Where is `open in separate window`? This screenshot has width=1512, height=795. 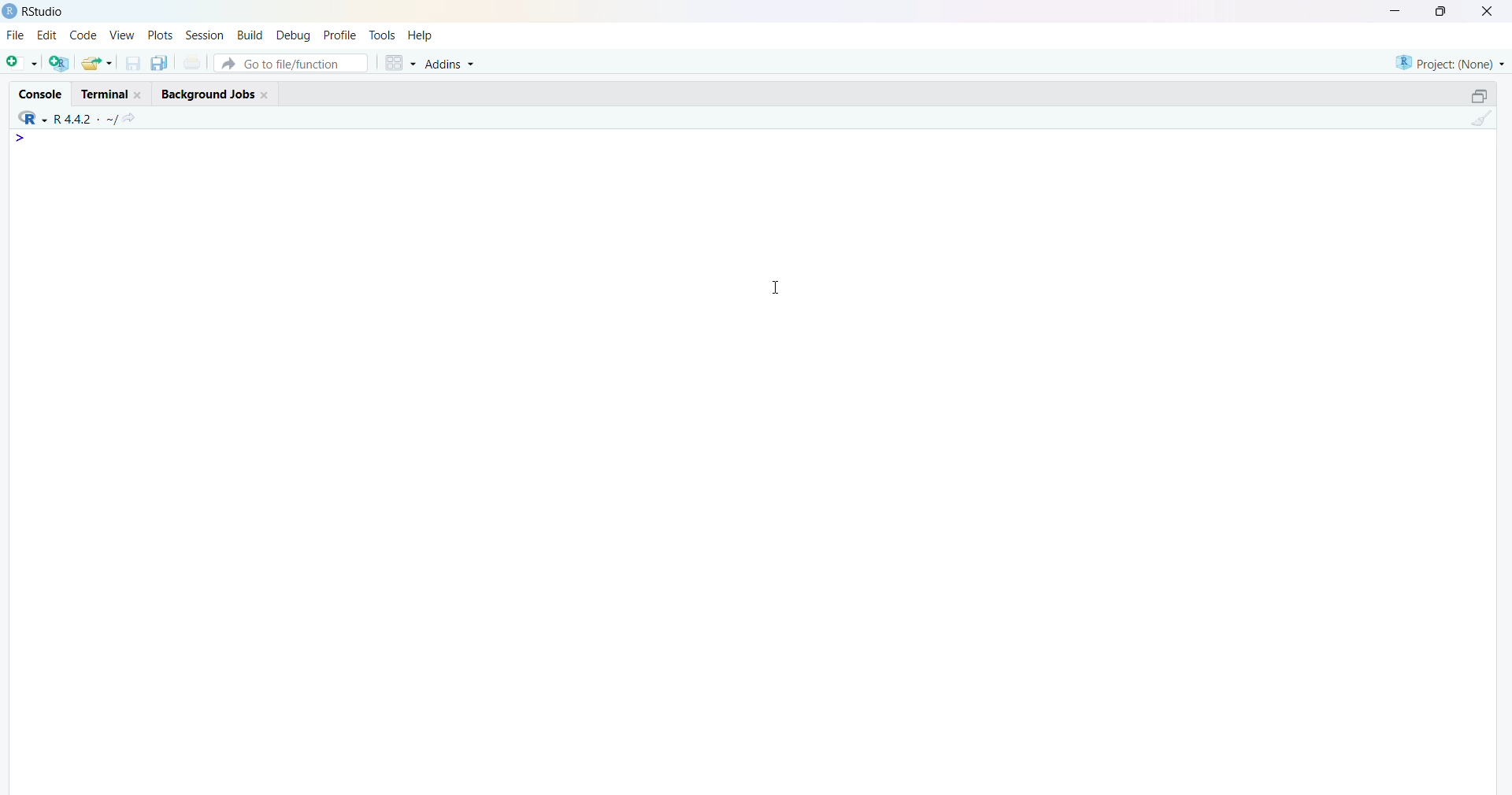
open in separate window is located at coordinates (1480, 95).